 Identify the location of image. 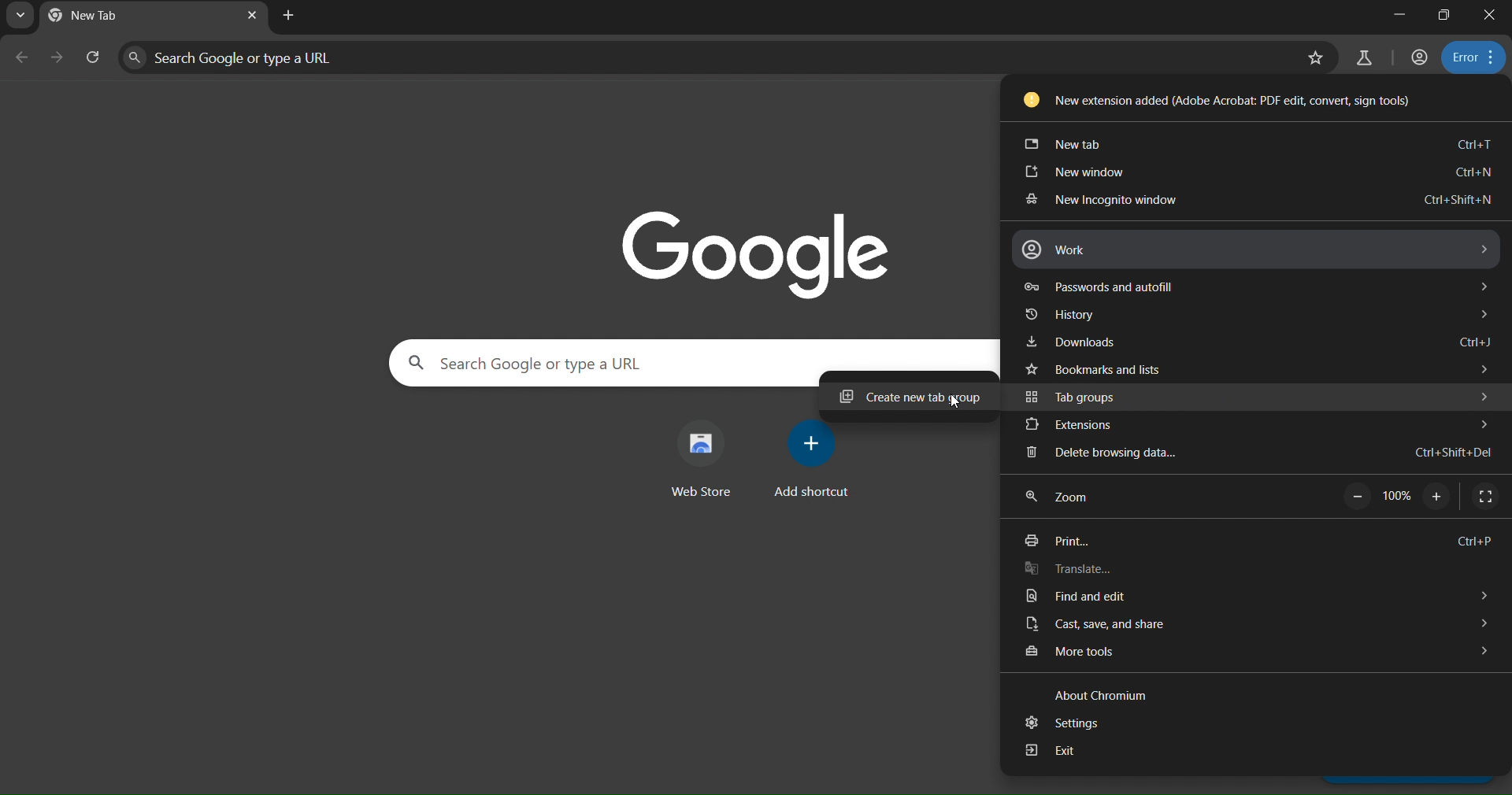
(769, 252).